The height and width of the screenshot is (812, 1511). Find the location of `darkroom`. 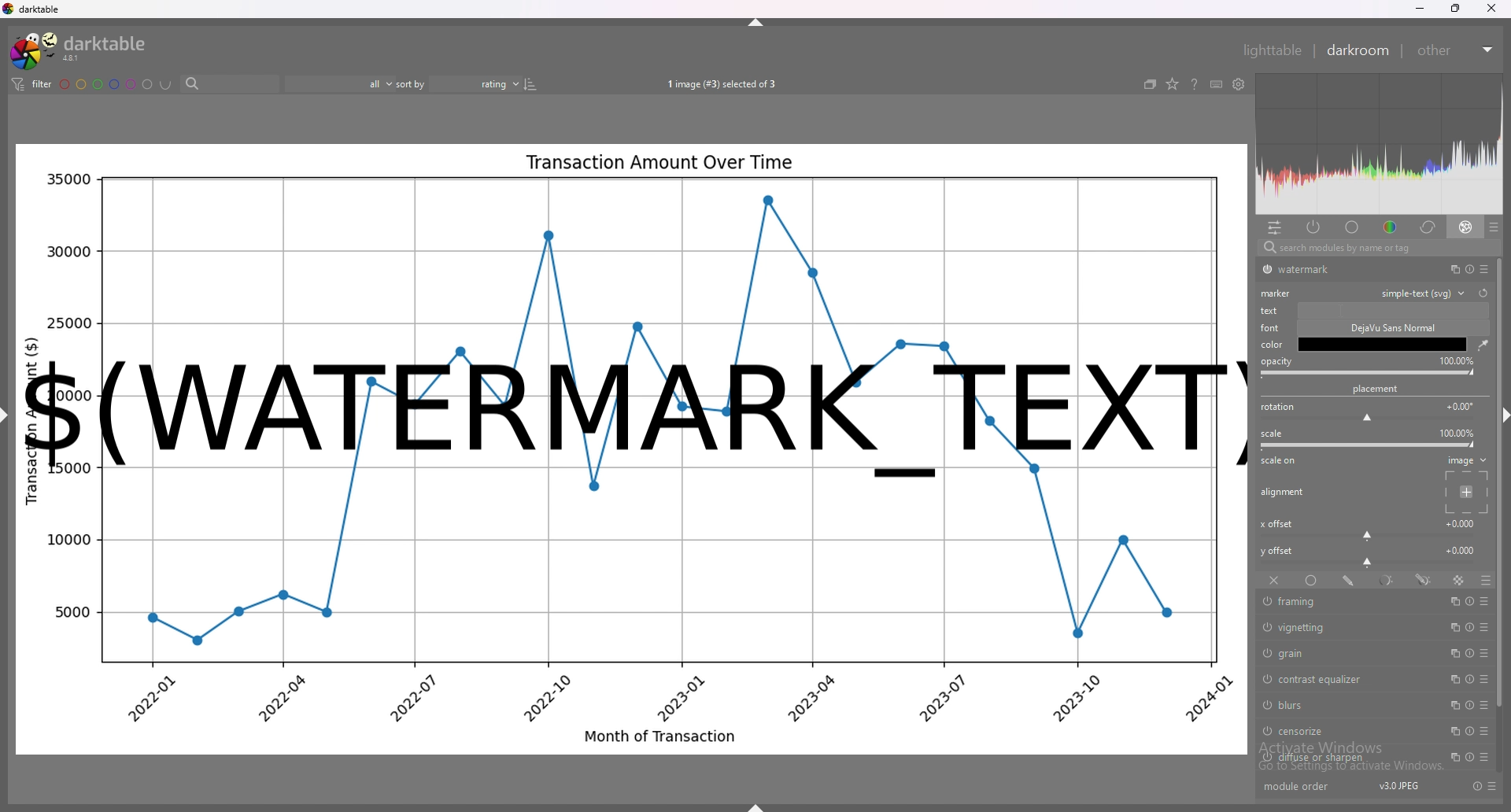

darkroom is located at coordinates (1358, 50).